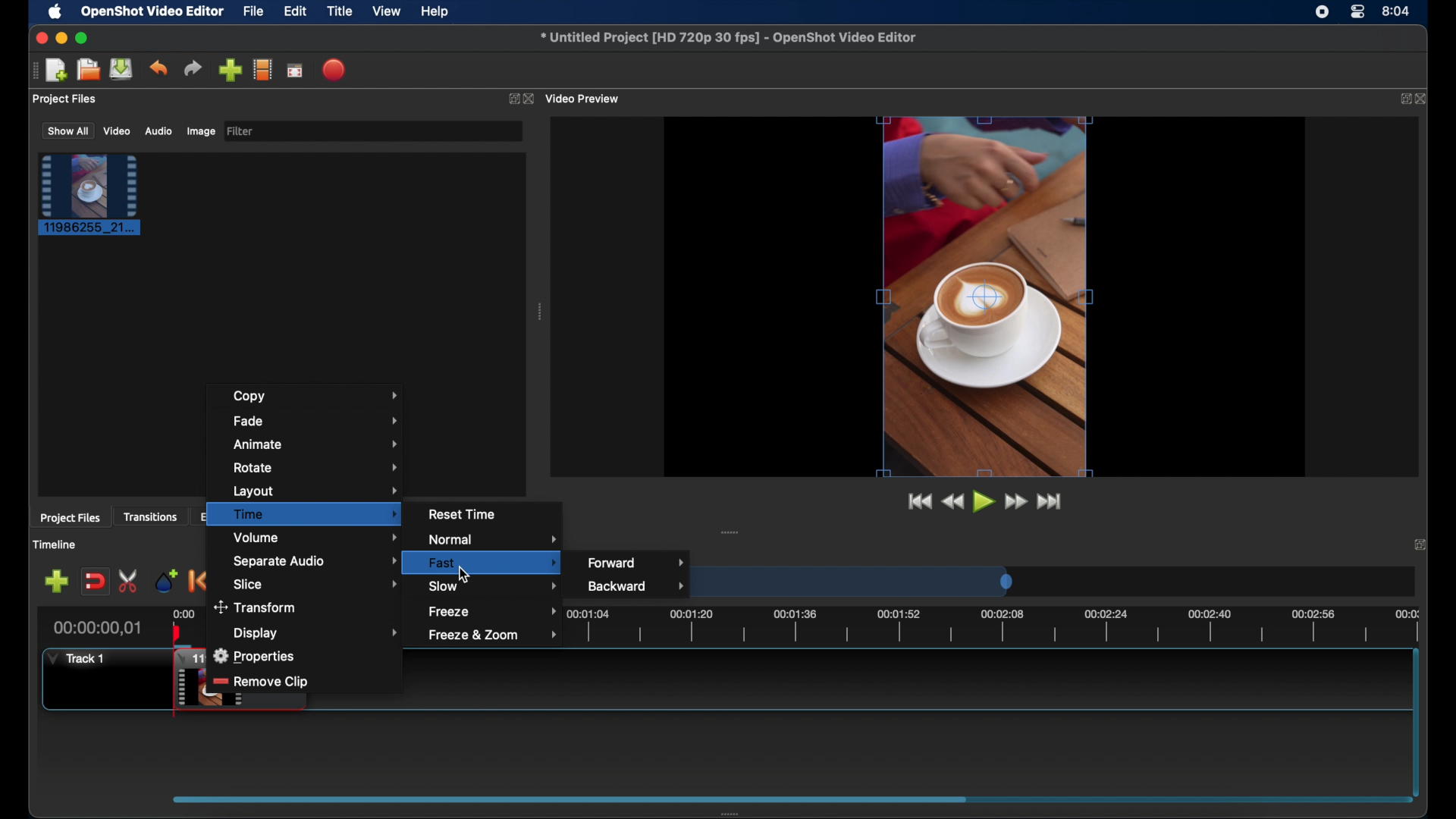 This screenshot has width=1456, height=819. Describe the element at coordinates (493, 563) in the screenshot. I see `fastmenu` at that location.